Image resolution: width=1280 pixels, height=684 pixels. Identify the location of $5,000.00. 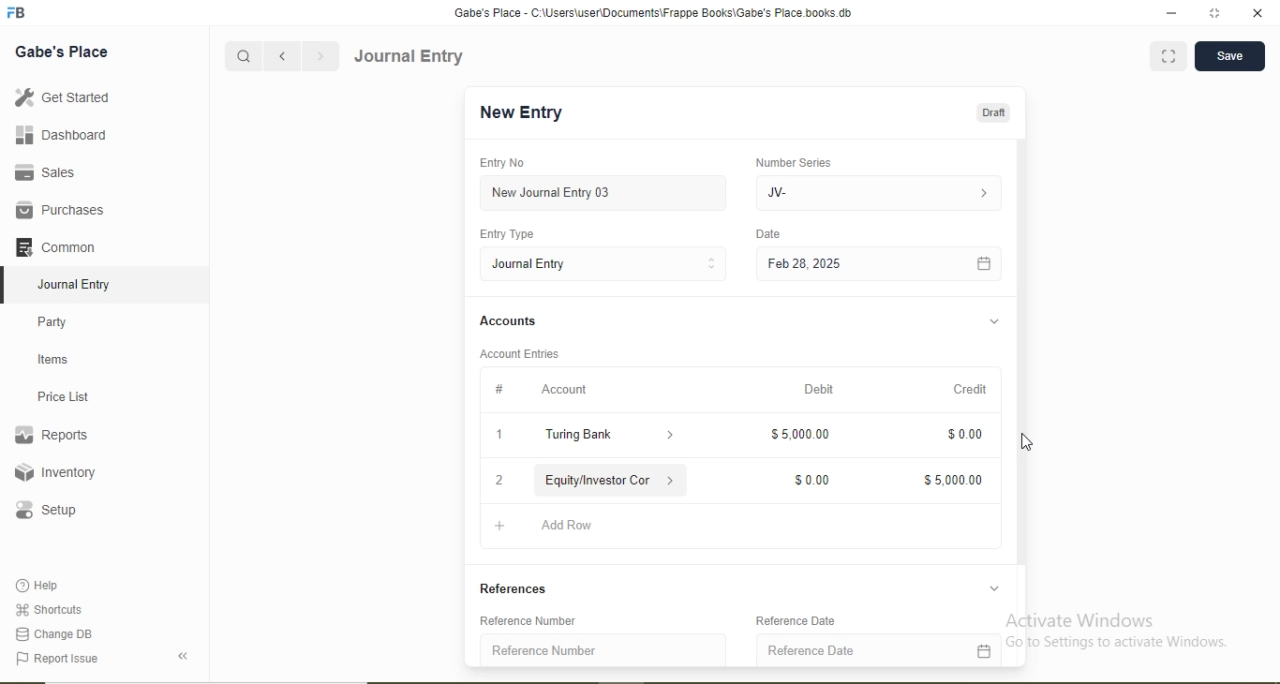
(800, 433).